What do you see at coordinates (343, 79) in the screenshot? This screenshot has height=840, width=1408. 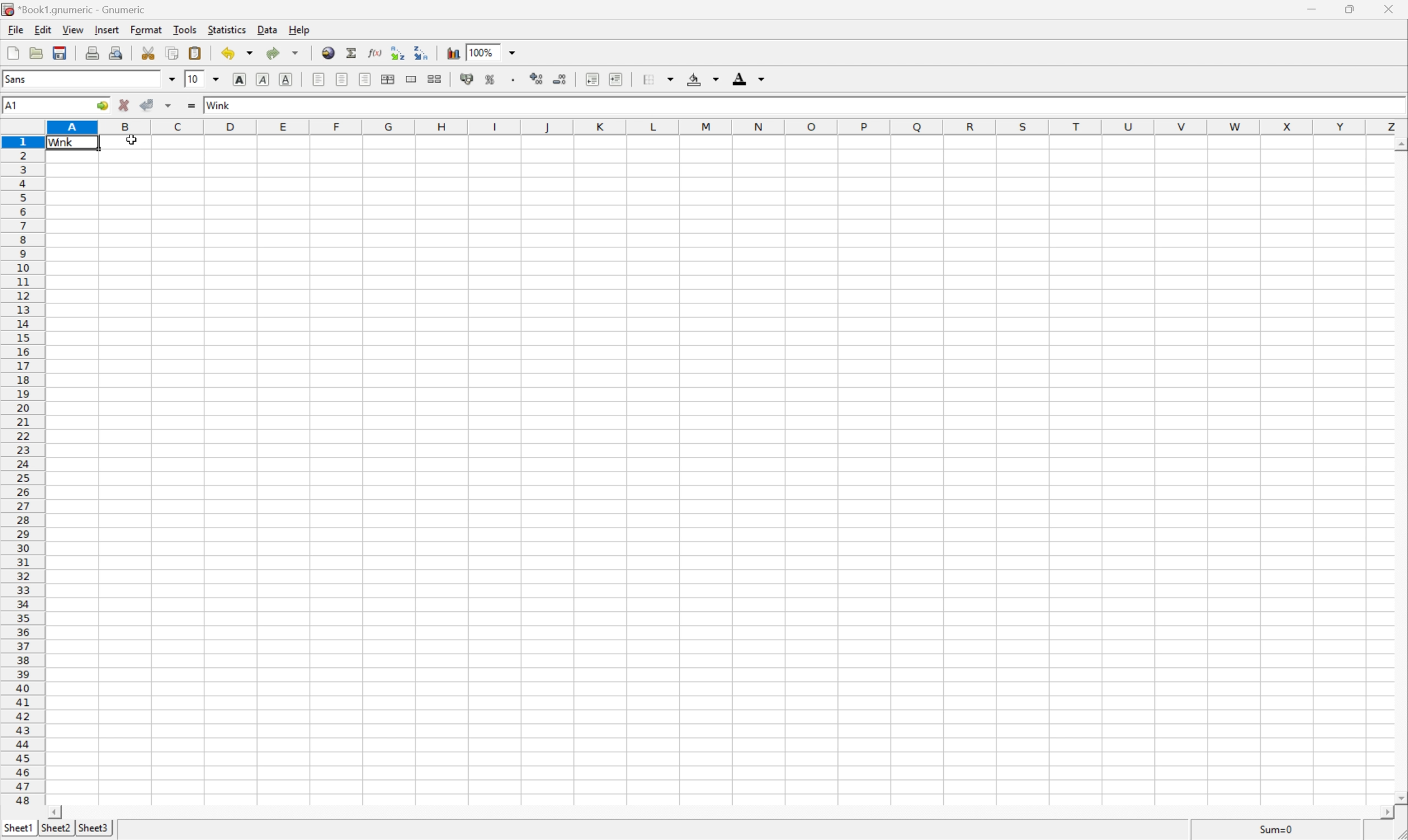 I see `center horizontally` at bounding box center [343, 79].